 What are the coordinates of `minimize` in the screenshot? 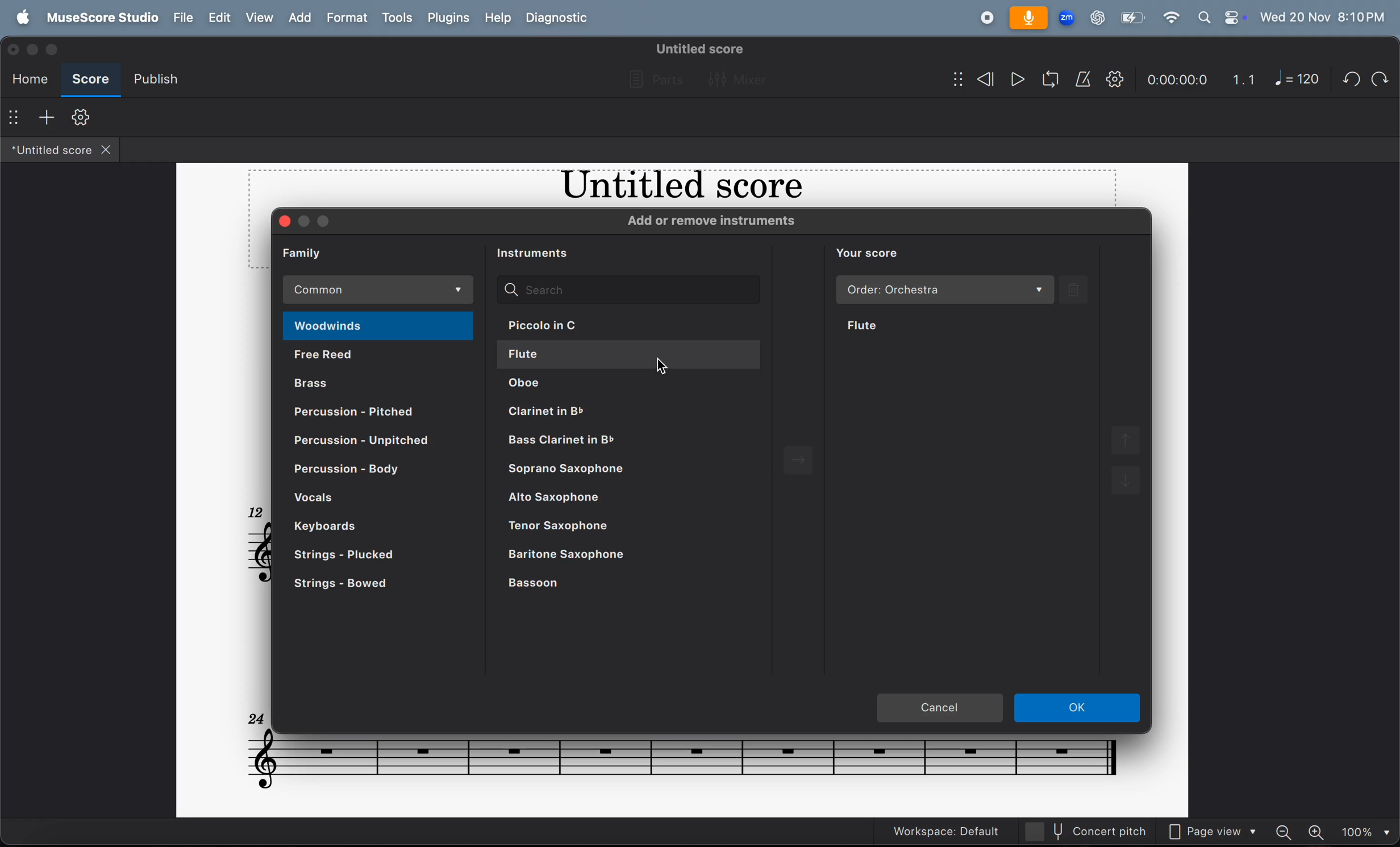 It's located at (306, 220).